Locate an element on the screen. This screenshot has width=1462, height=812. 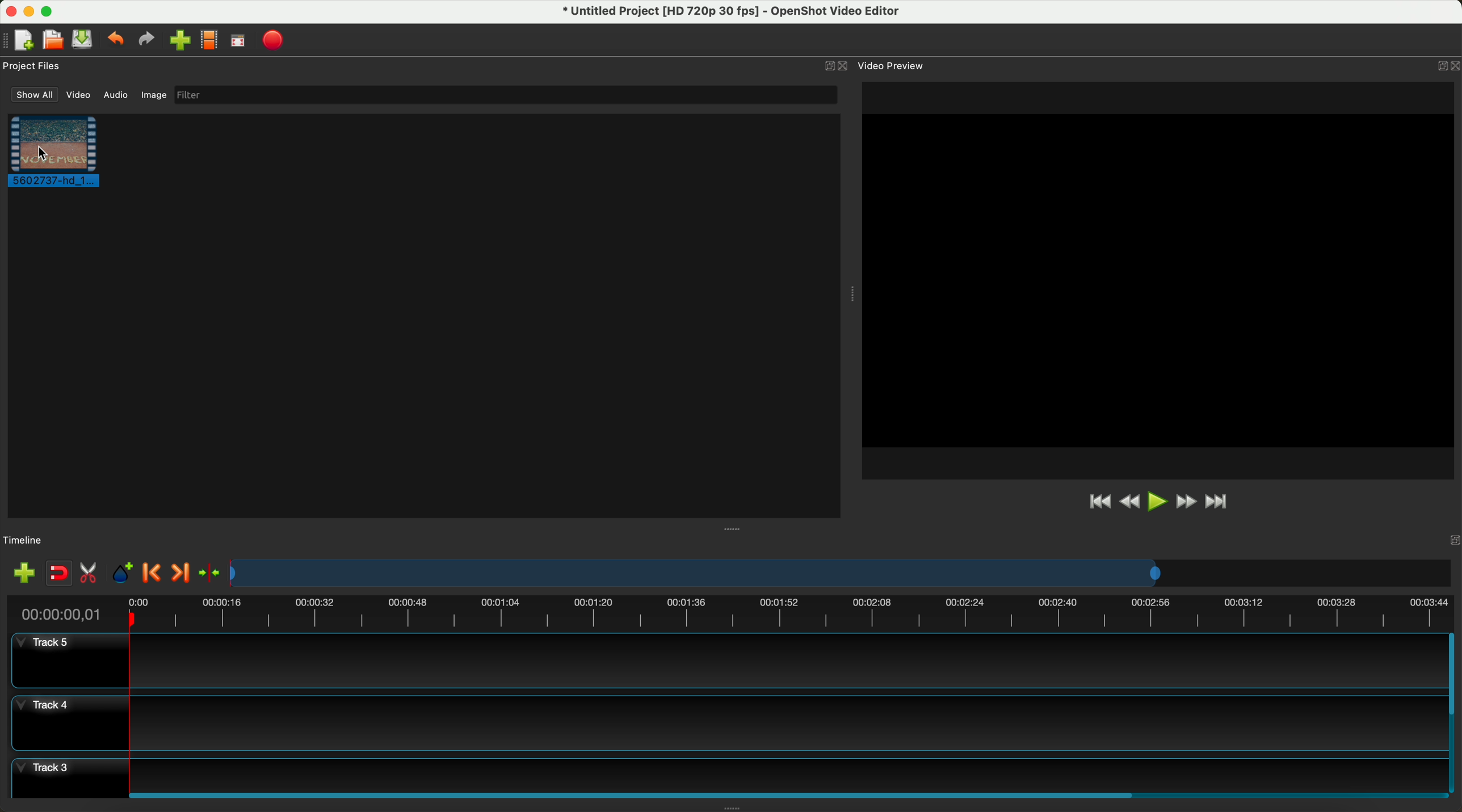
open project is located at coordinates (52, 37).